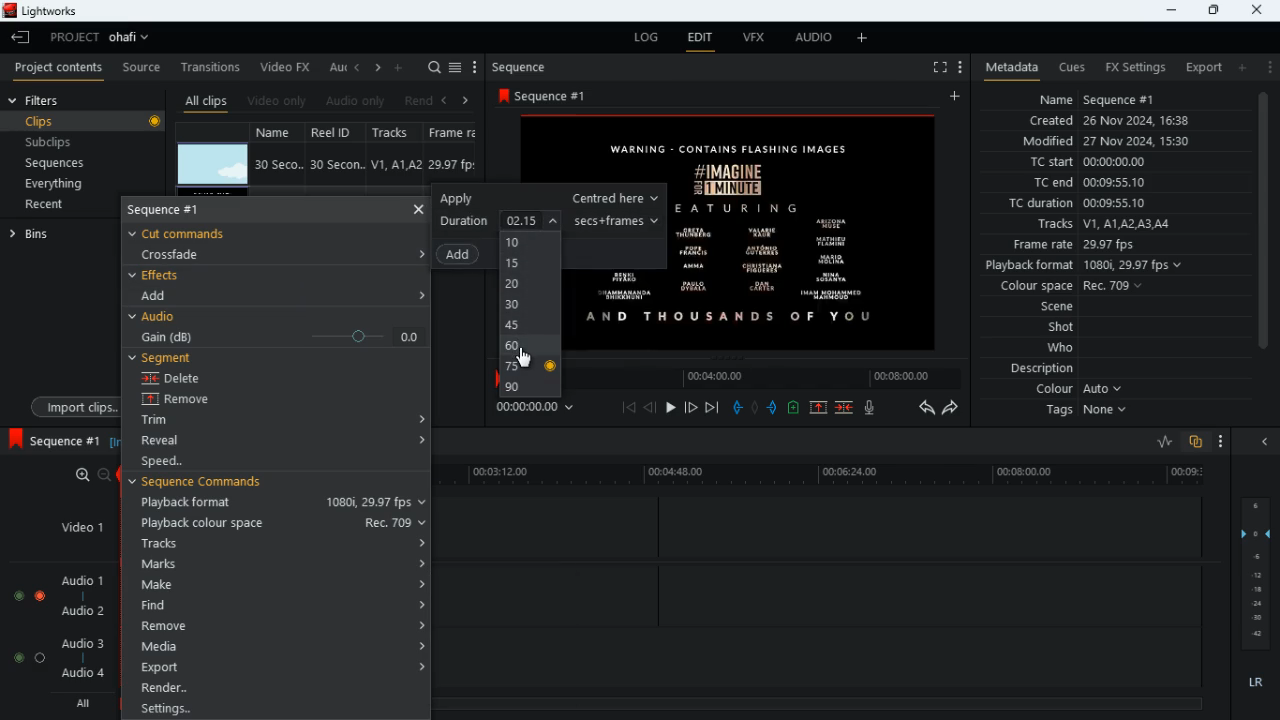 The width and height of the screenshot is (1280, 720). I want to click on maximize, so click(1213, 10).